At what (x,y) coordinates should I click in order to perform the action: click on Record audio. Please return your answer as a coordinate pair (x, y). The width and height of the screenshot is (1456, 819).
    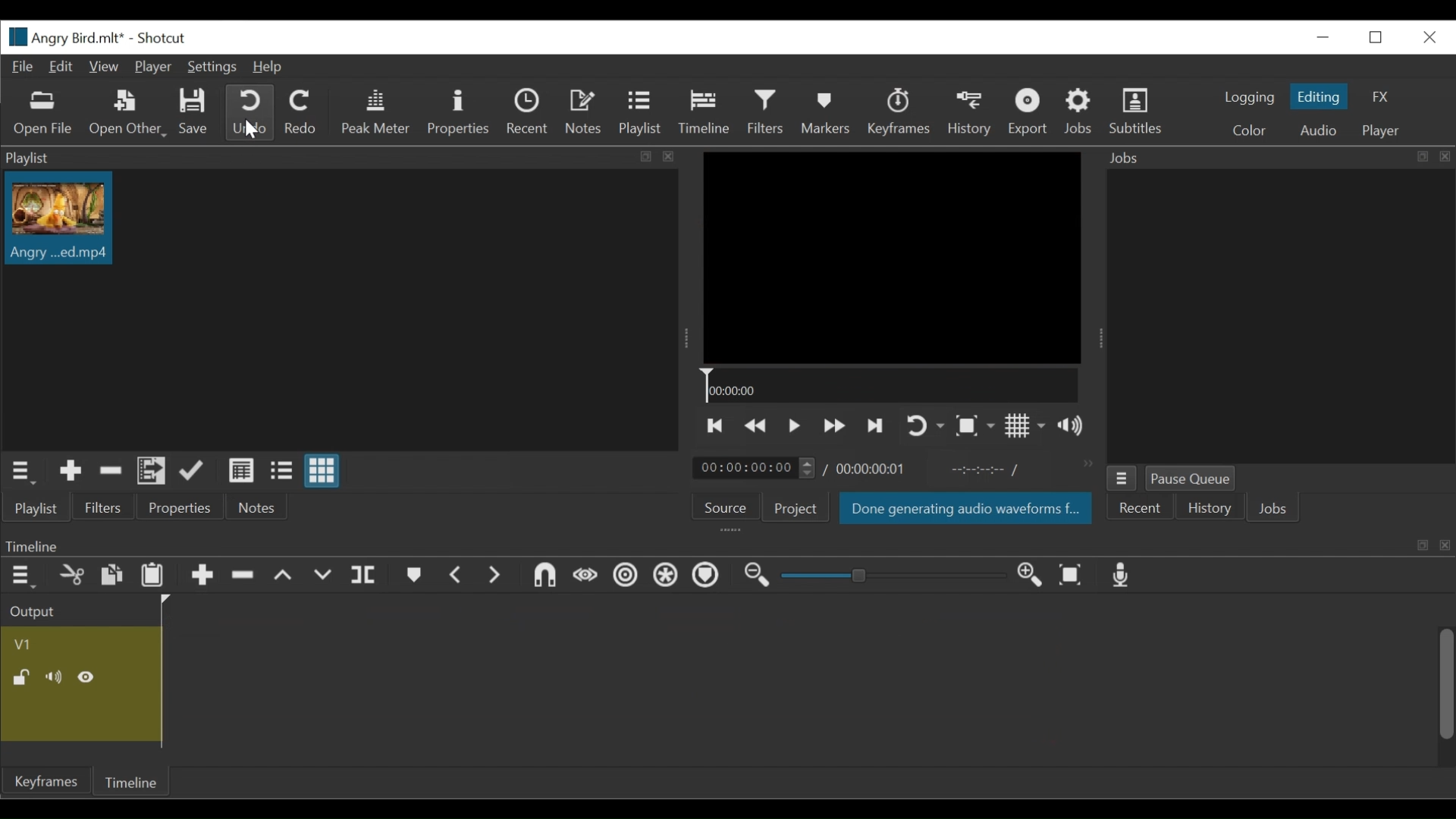
    Looking at the image, I should click on (1125, 576).